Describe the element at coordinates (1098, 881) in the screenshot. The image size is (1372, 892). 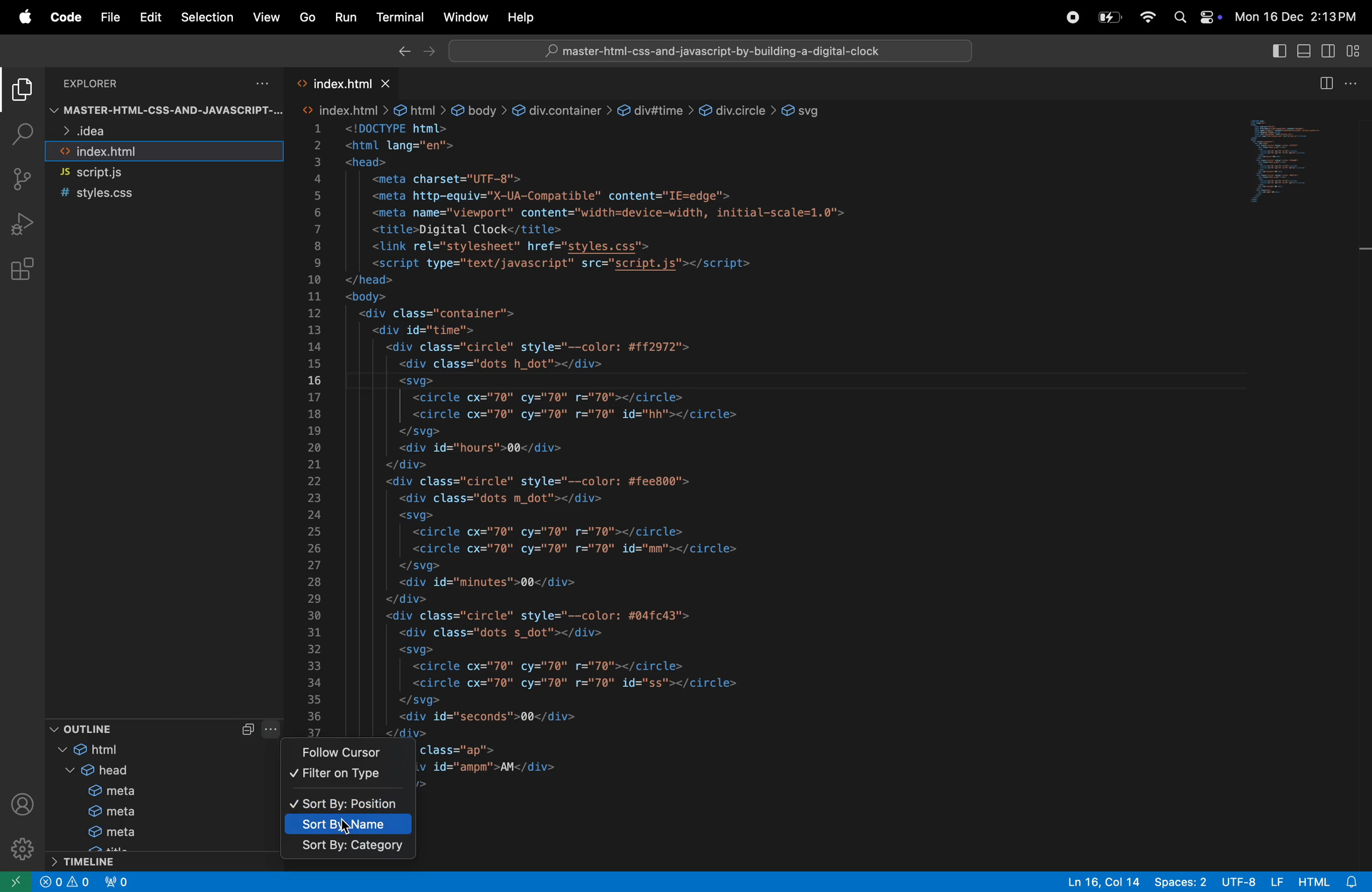
I see `Ln 16, Col 14` at that location.